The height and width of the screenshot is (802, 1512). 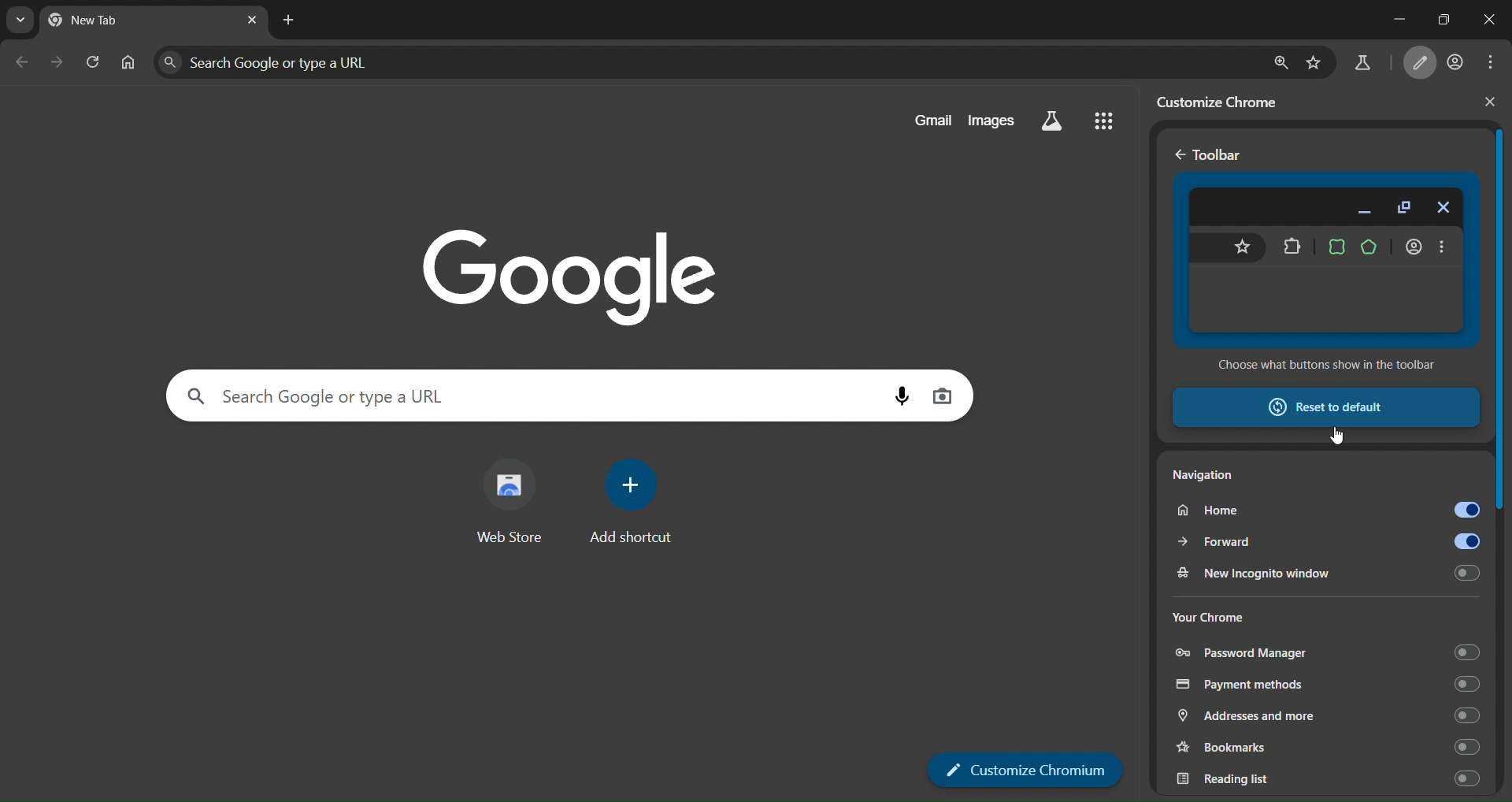 I want to click on toolbar preview, so click(x=1324, y=258).